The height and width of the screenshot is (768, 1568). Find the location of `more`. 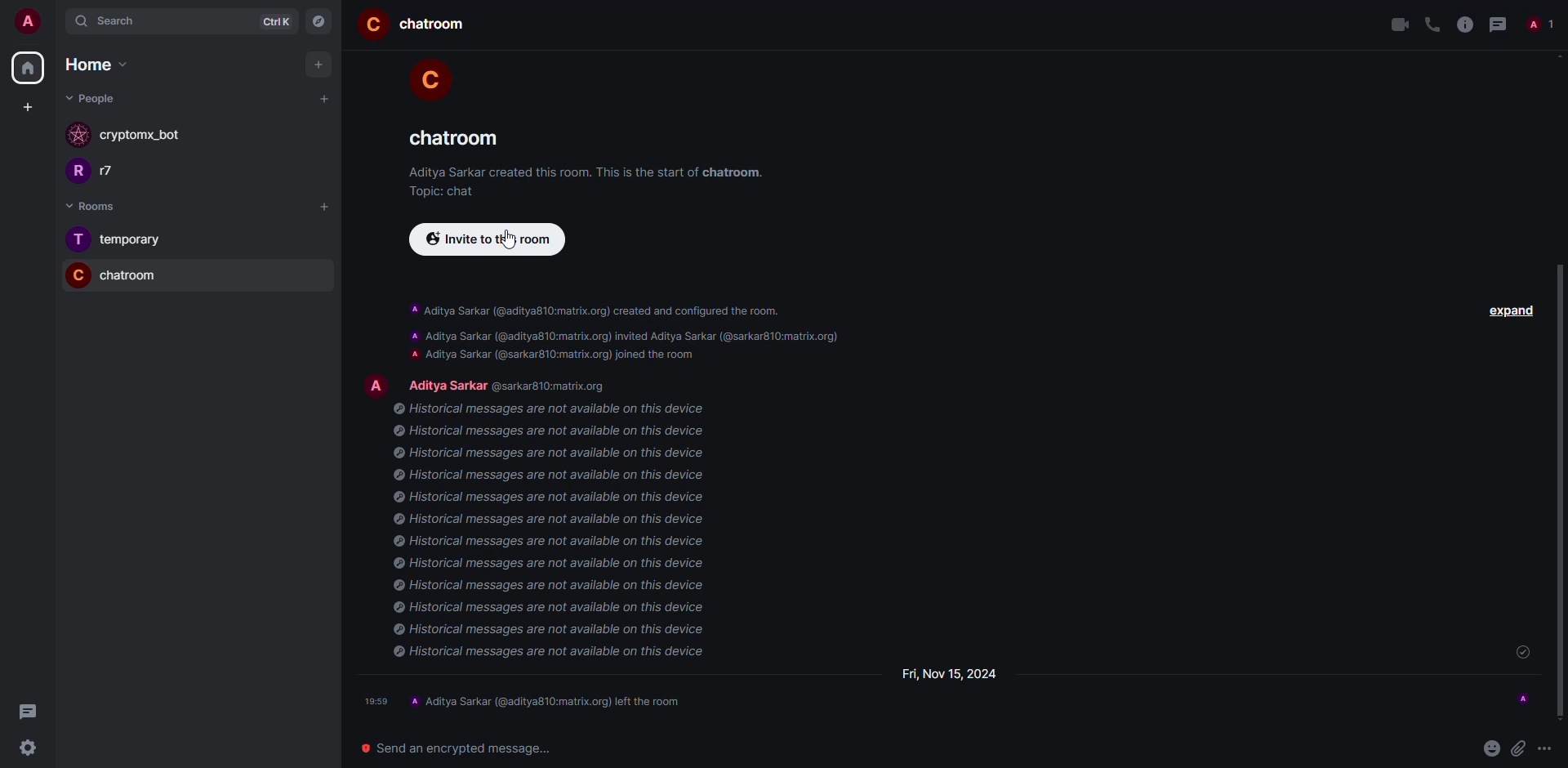

more is located at coordinates (1547, 748).